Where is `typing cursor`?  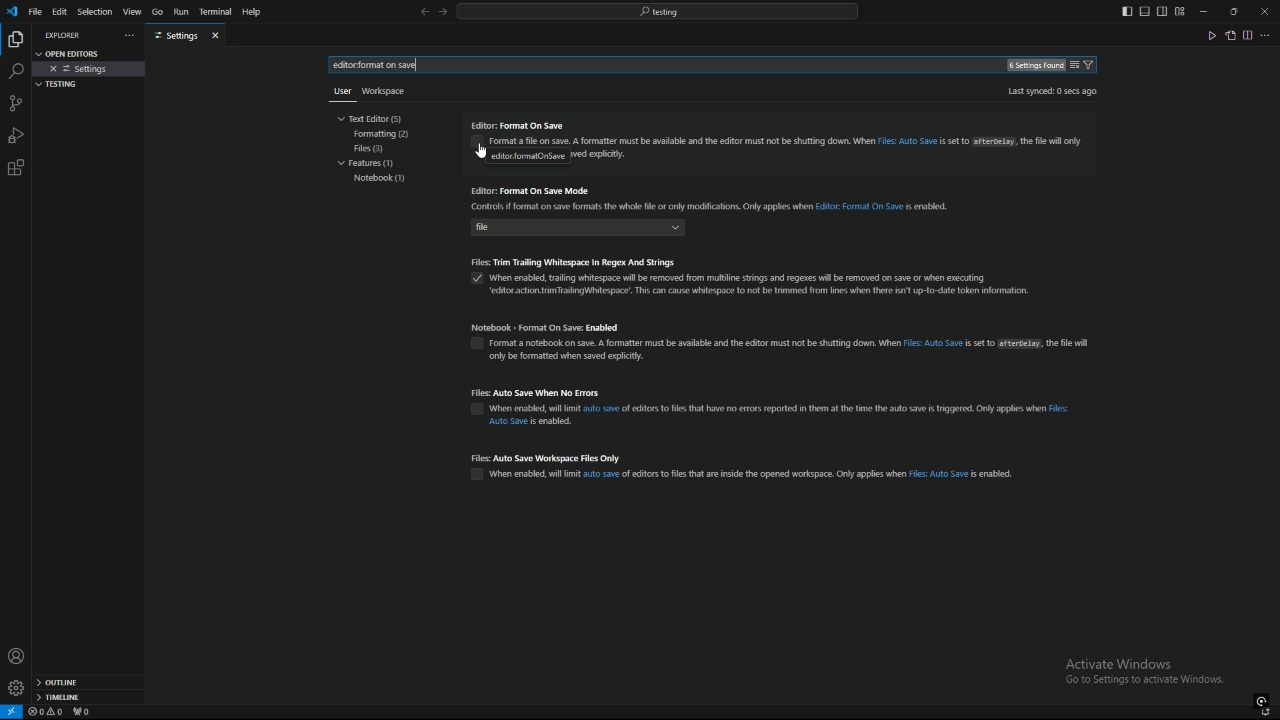 typing cursor is located at coordinates (416, 66).